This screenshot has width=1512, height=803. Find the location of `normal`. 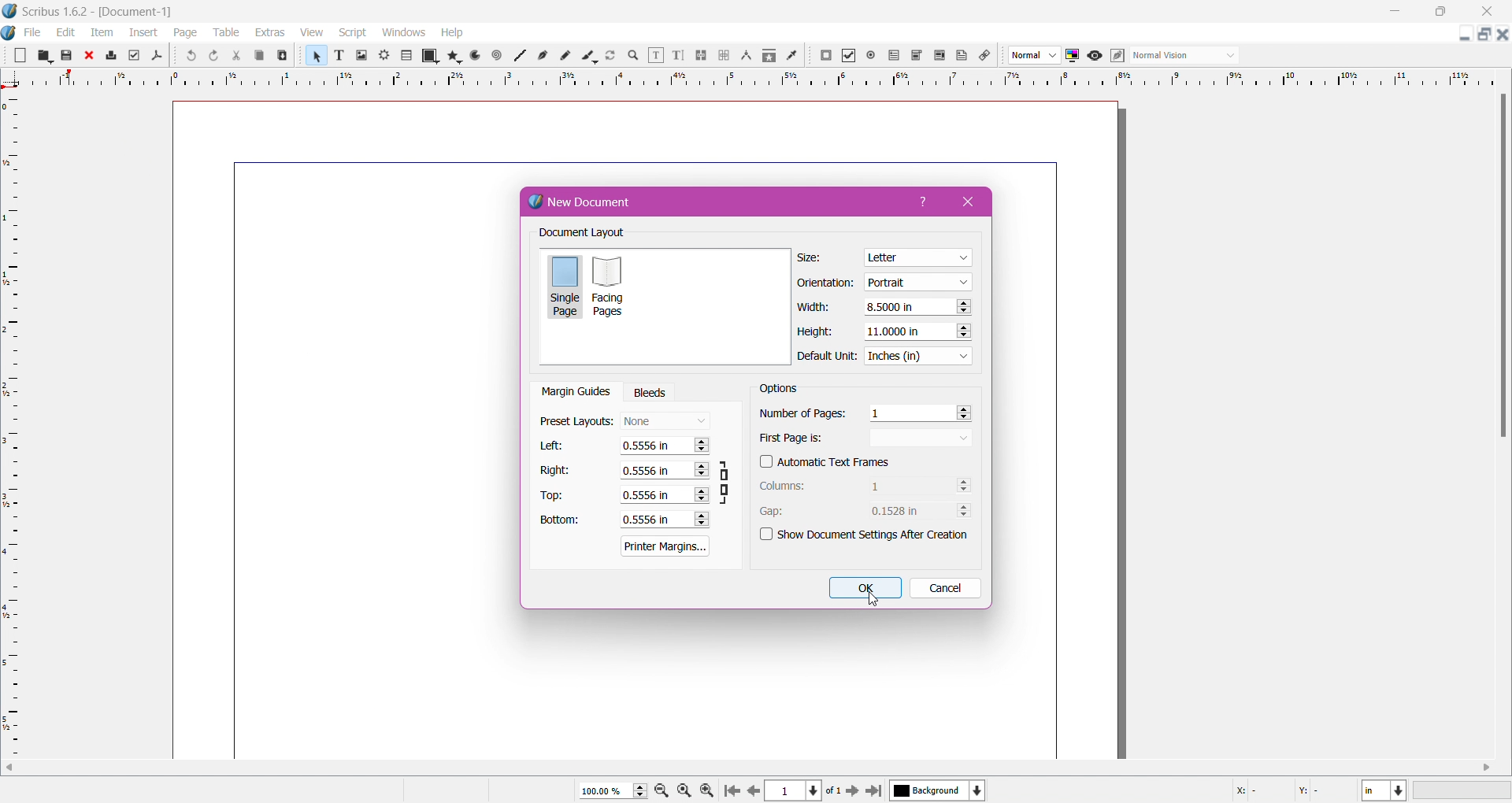

normal is located at coordinates (1173, 57).